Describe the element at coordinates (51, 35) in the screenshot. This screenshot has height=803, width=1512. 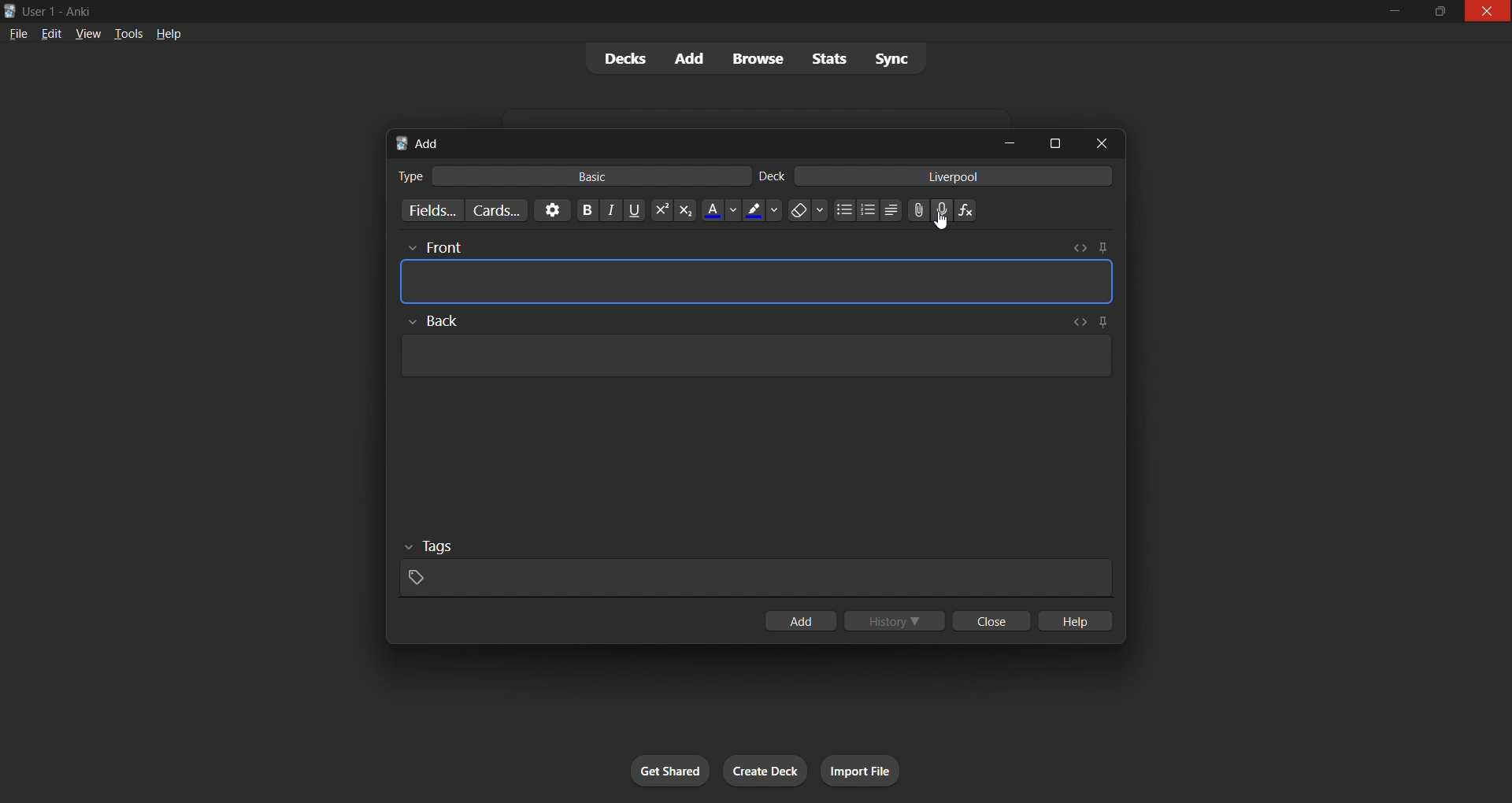
I see `edit` at that location.